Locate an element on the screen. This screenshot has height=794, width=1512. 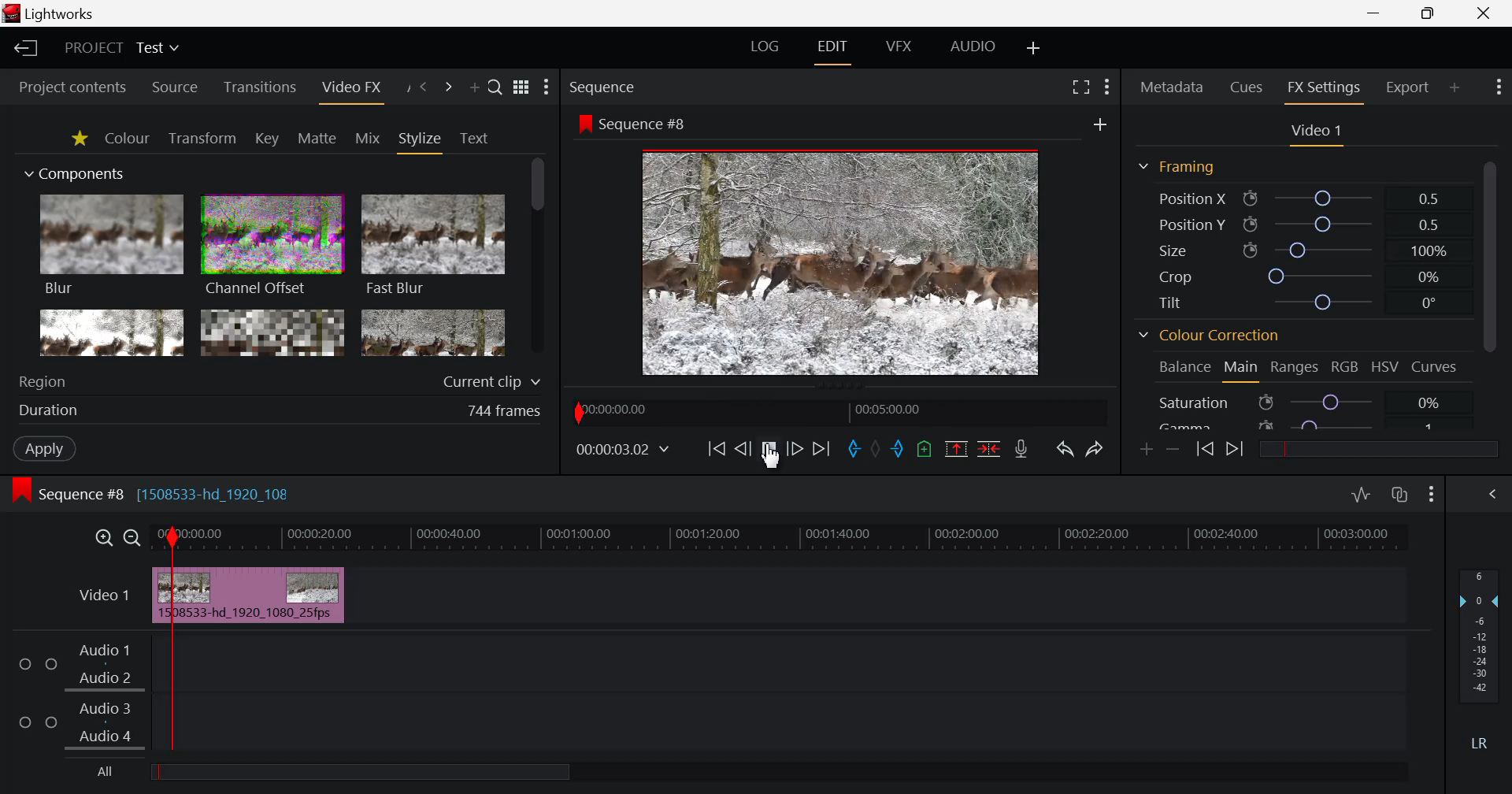
Favorites is located at coordinates (77, 139).